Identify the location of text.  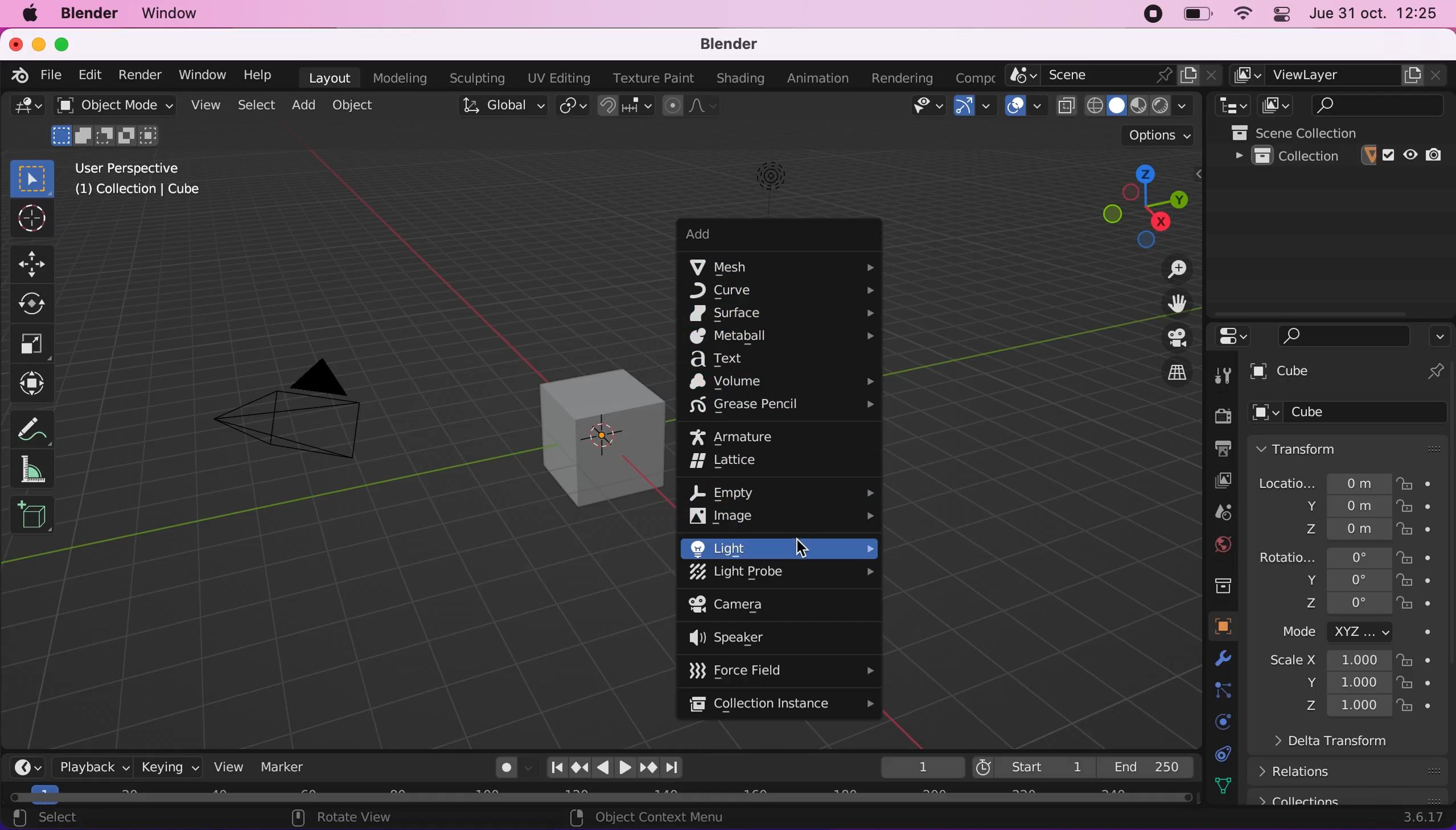
(735, 359).